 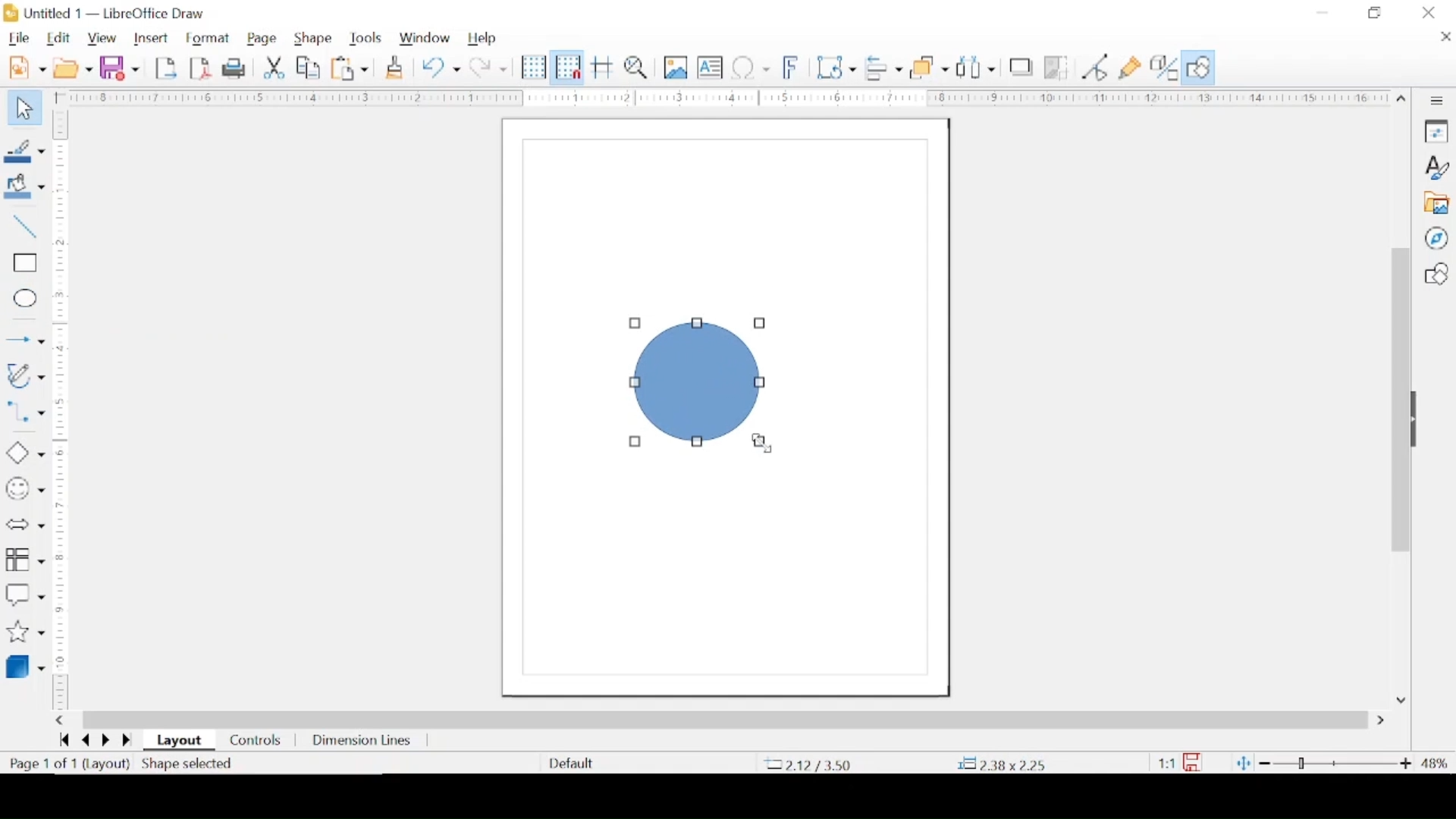 I want to click on copy, so click(x=309, y=67).